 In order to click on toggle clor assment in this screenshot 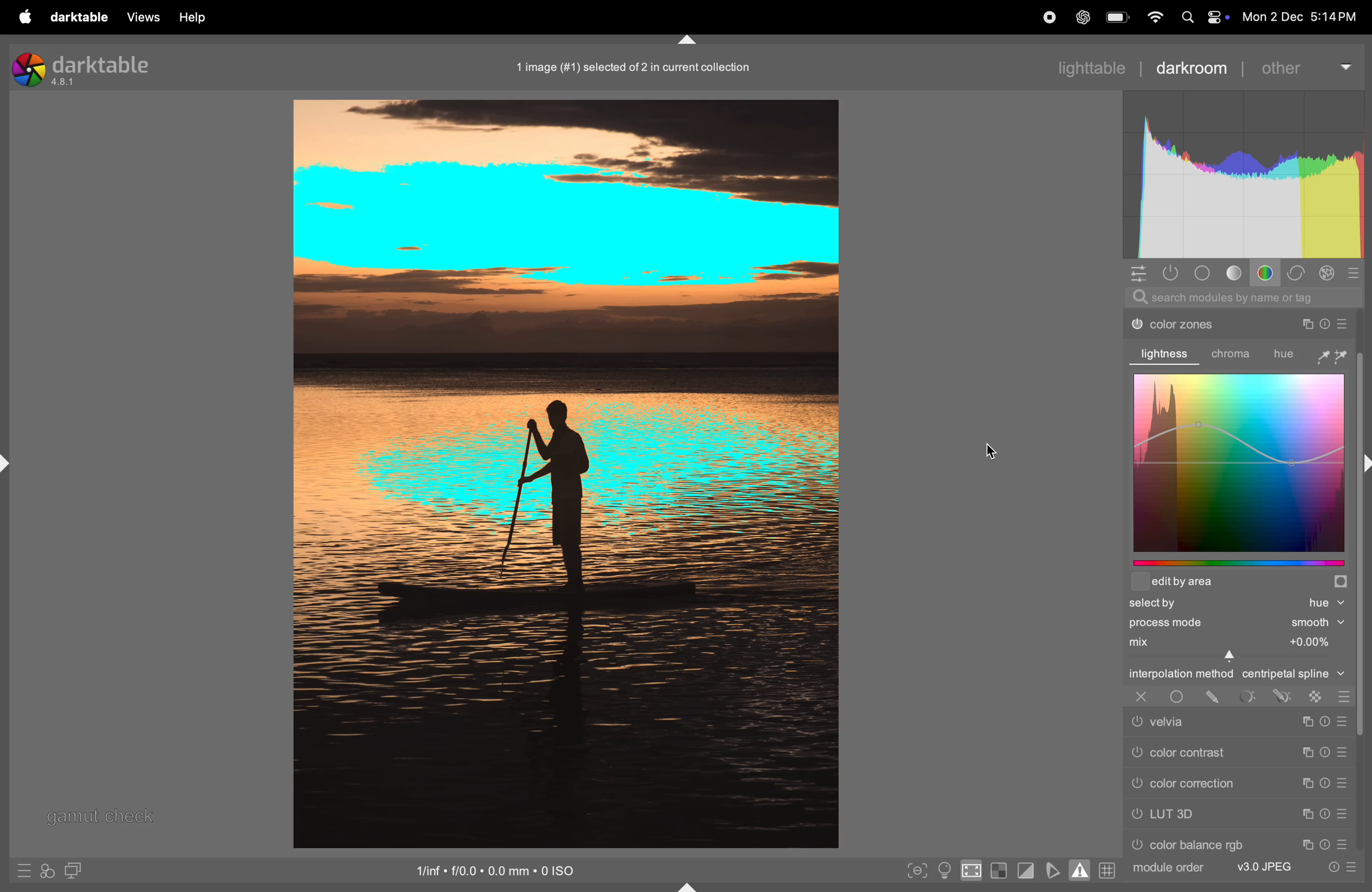, I will do `click(944, 870)`.